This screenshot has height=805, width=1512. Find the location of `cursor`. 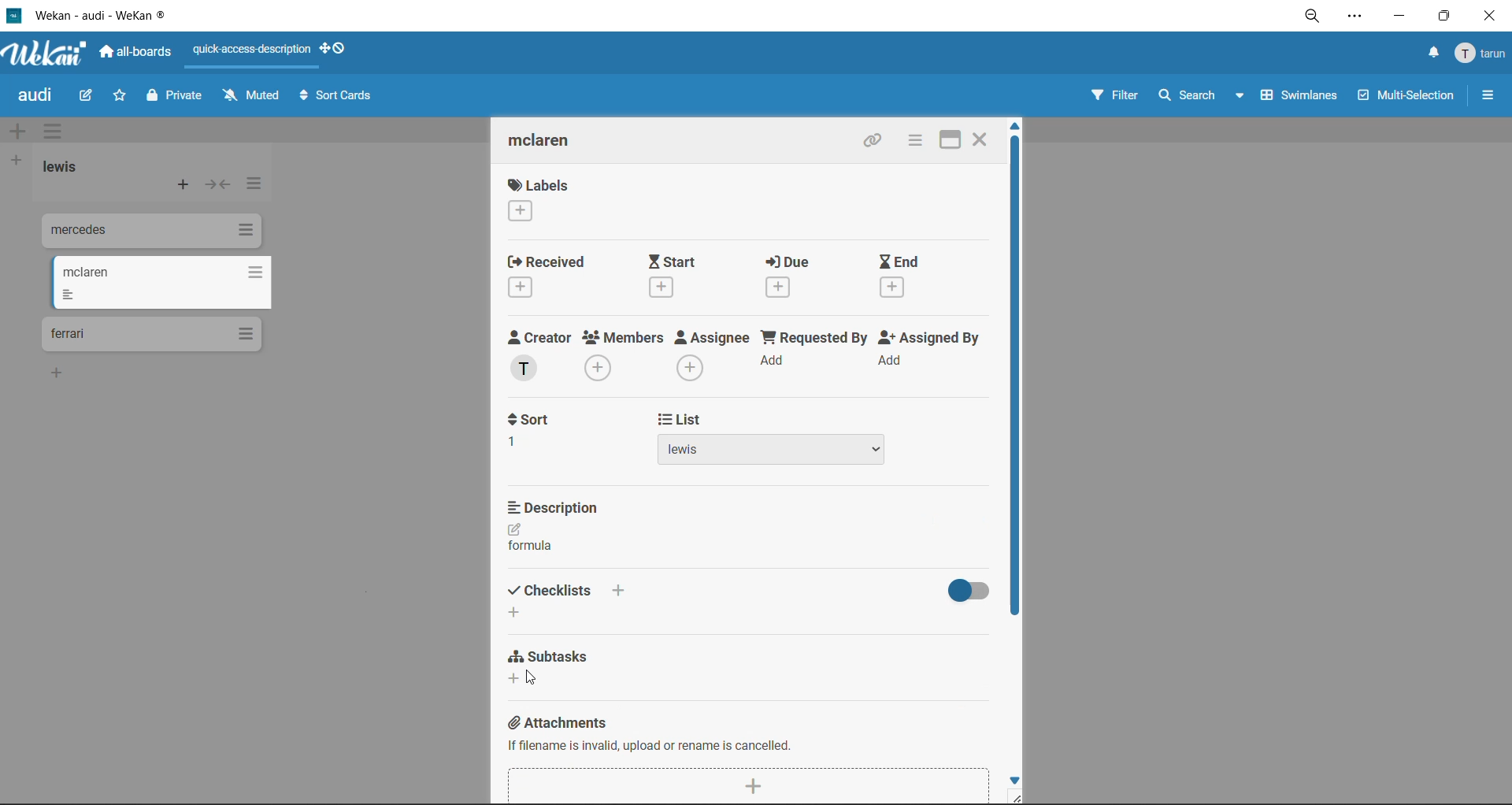

cursor is located at coordinates (533, 677).